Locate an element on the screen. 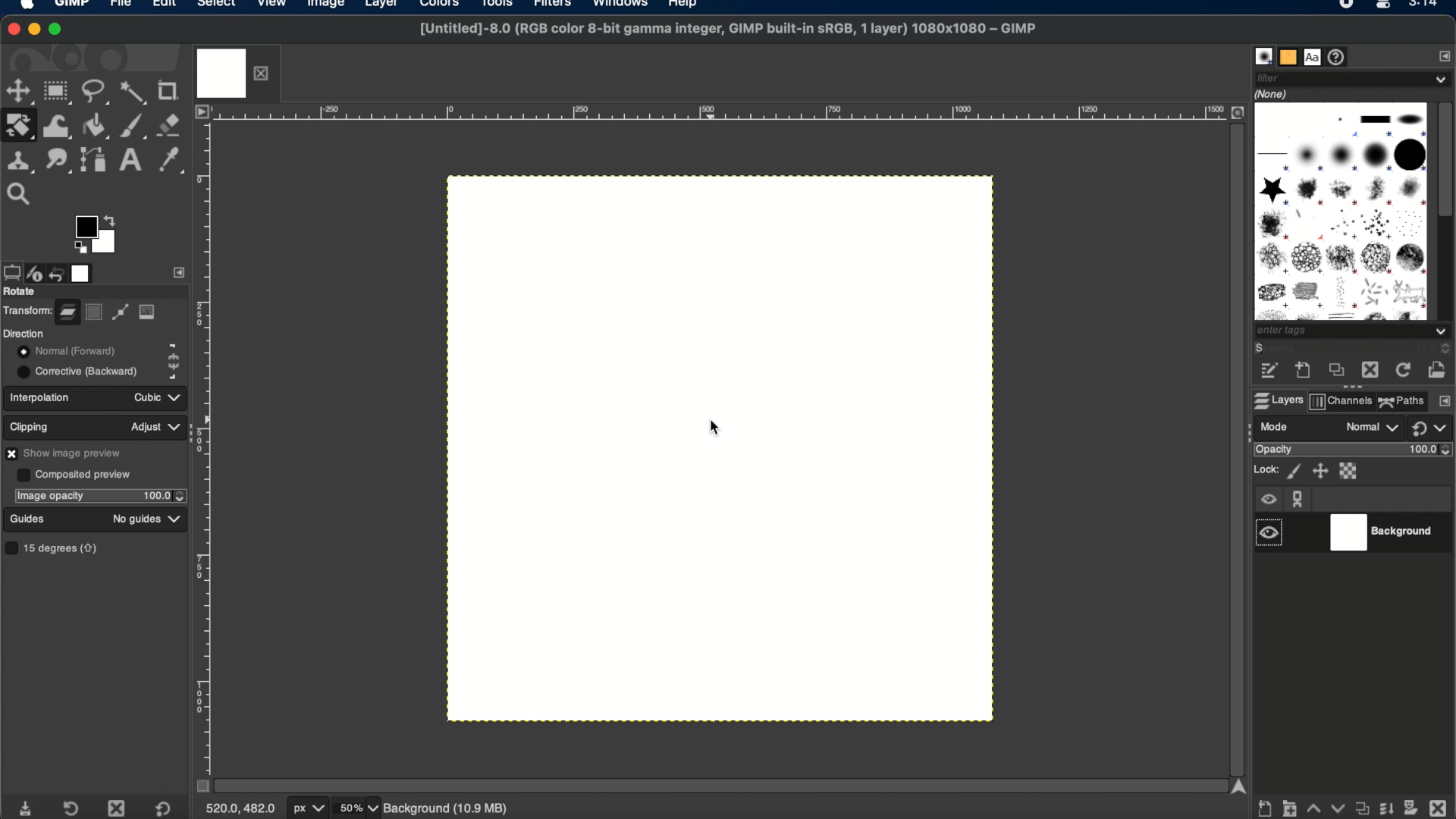 This screenshot has width=1456, height=819. opacity level stepper buttons is located at coordinates (1432, 450).